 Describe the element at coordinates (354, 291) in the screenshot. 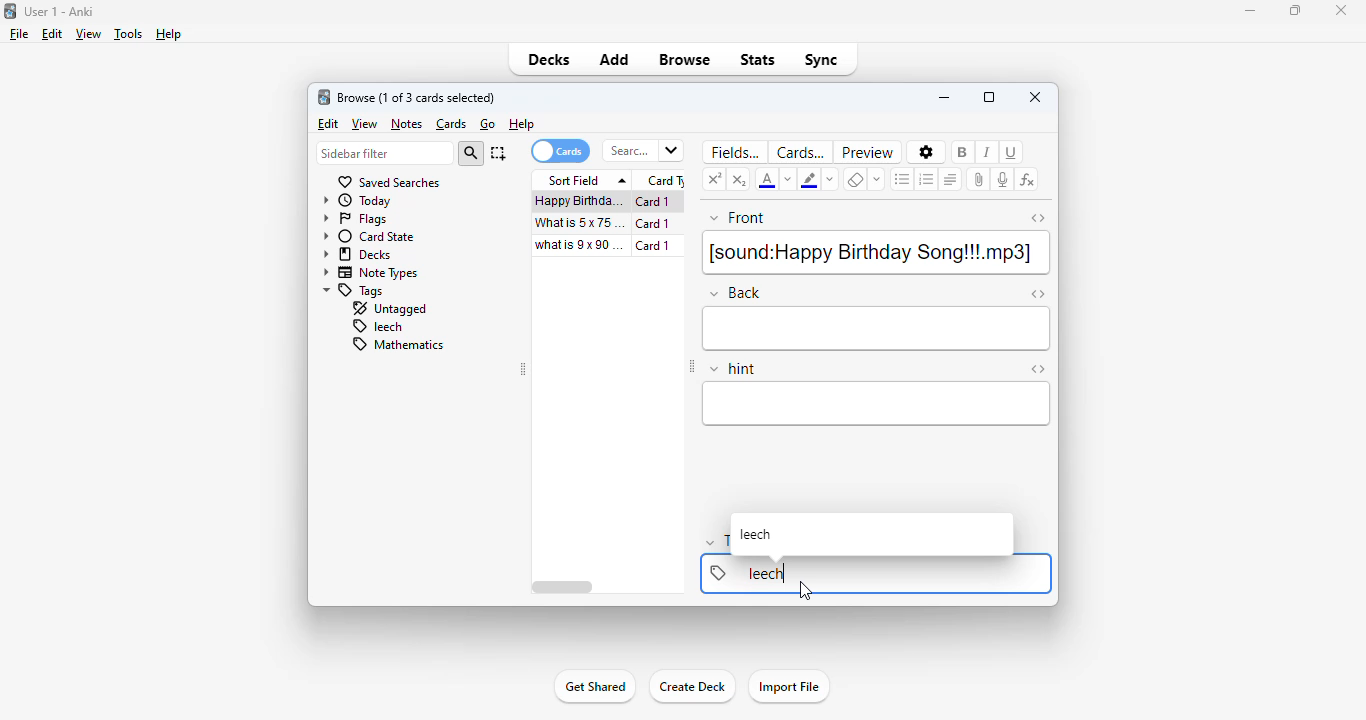

I see `tags` at that location.